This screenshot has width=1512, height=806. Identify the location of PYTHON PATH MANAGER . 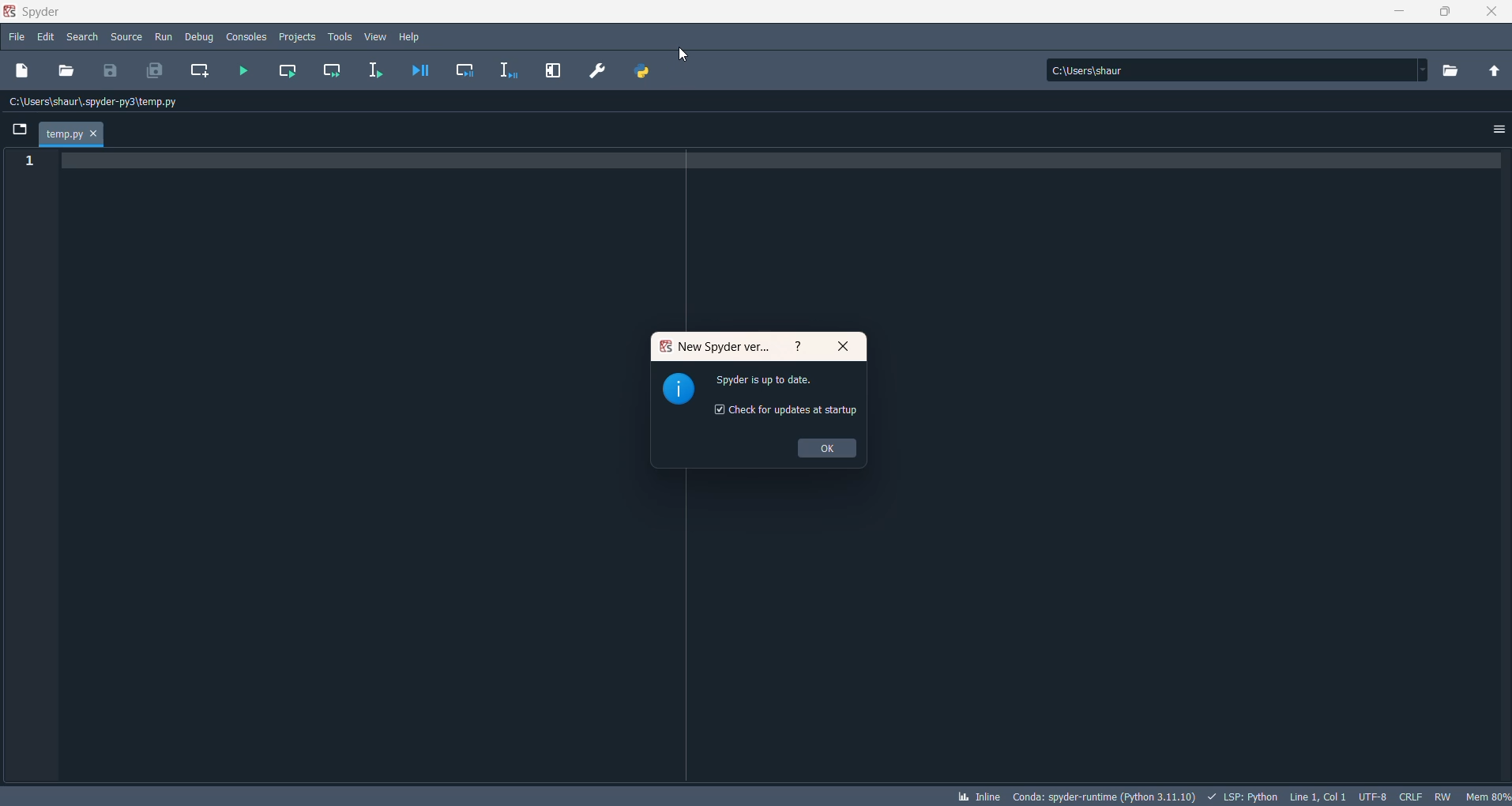
(644, 71).